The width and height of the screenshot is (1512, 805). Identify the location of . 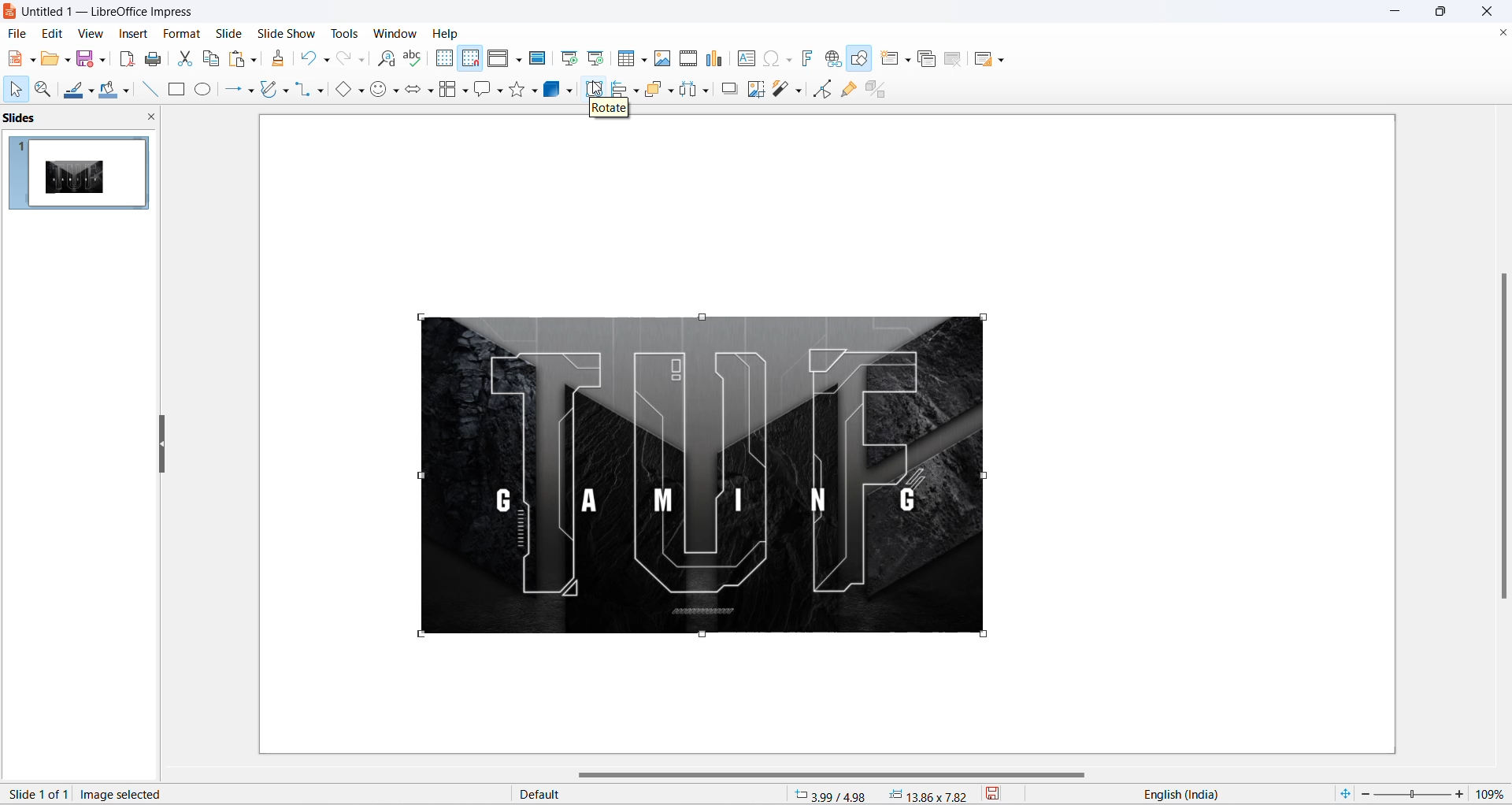
(20, 34).